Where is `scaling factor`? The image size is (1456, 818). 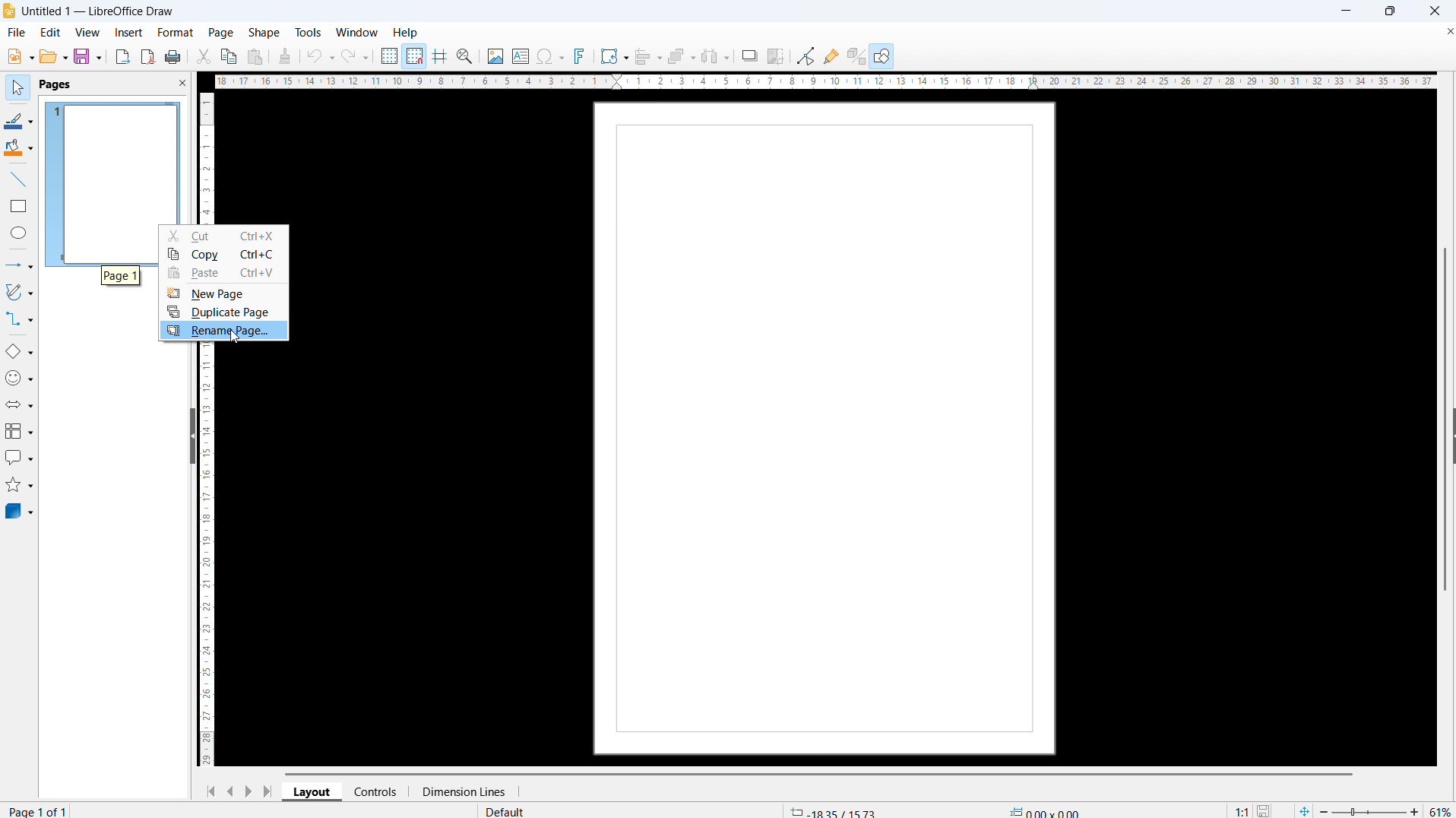
scaling factor is located at coordinates (1242, 809).